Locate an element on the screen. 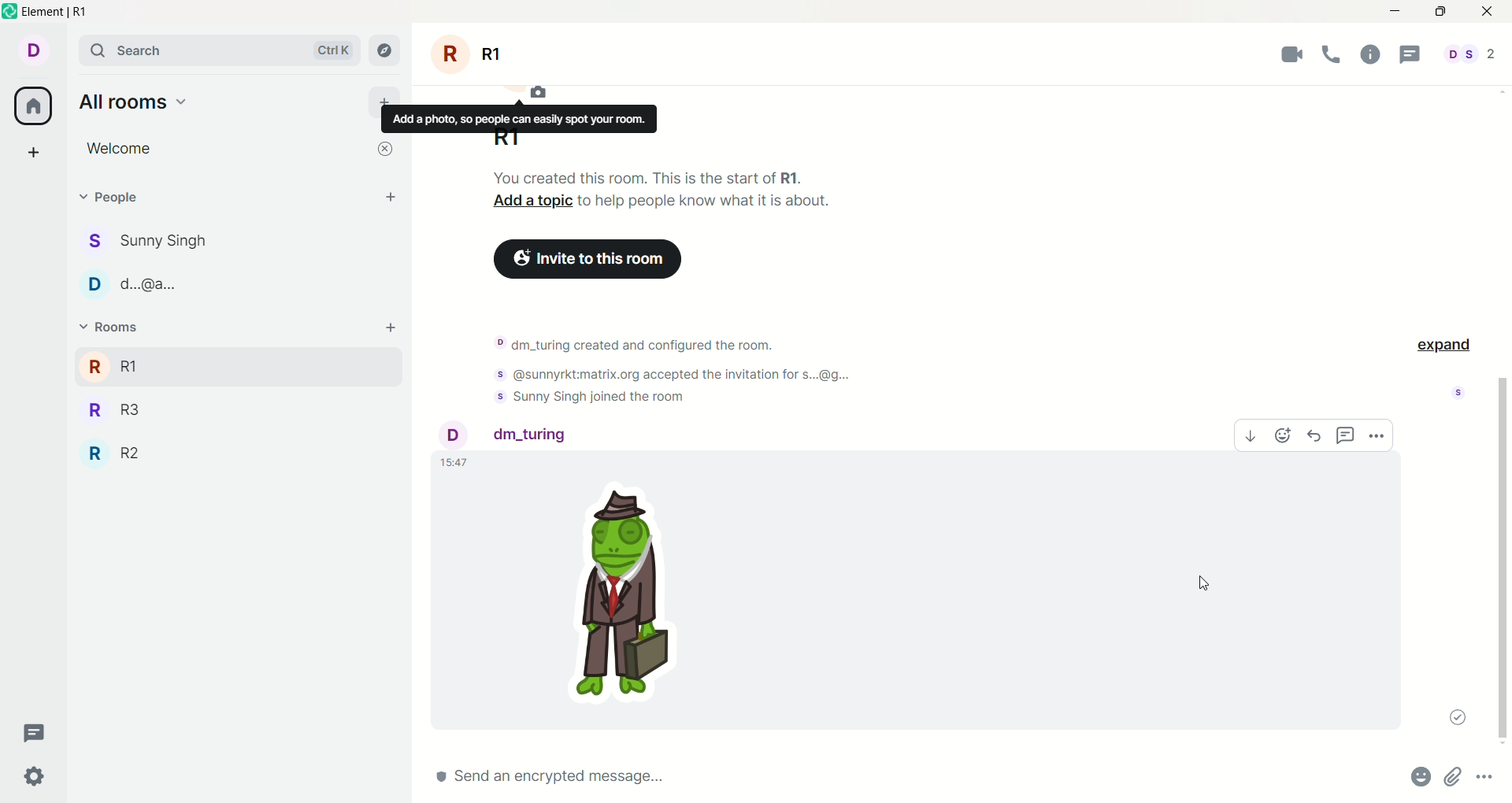 This screenshot has width=1512, height=803. maximize is located at coordinates (1440, 12).